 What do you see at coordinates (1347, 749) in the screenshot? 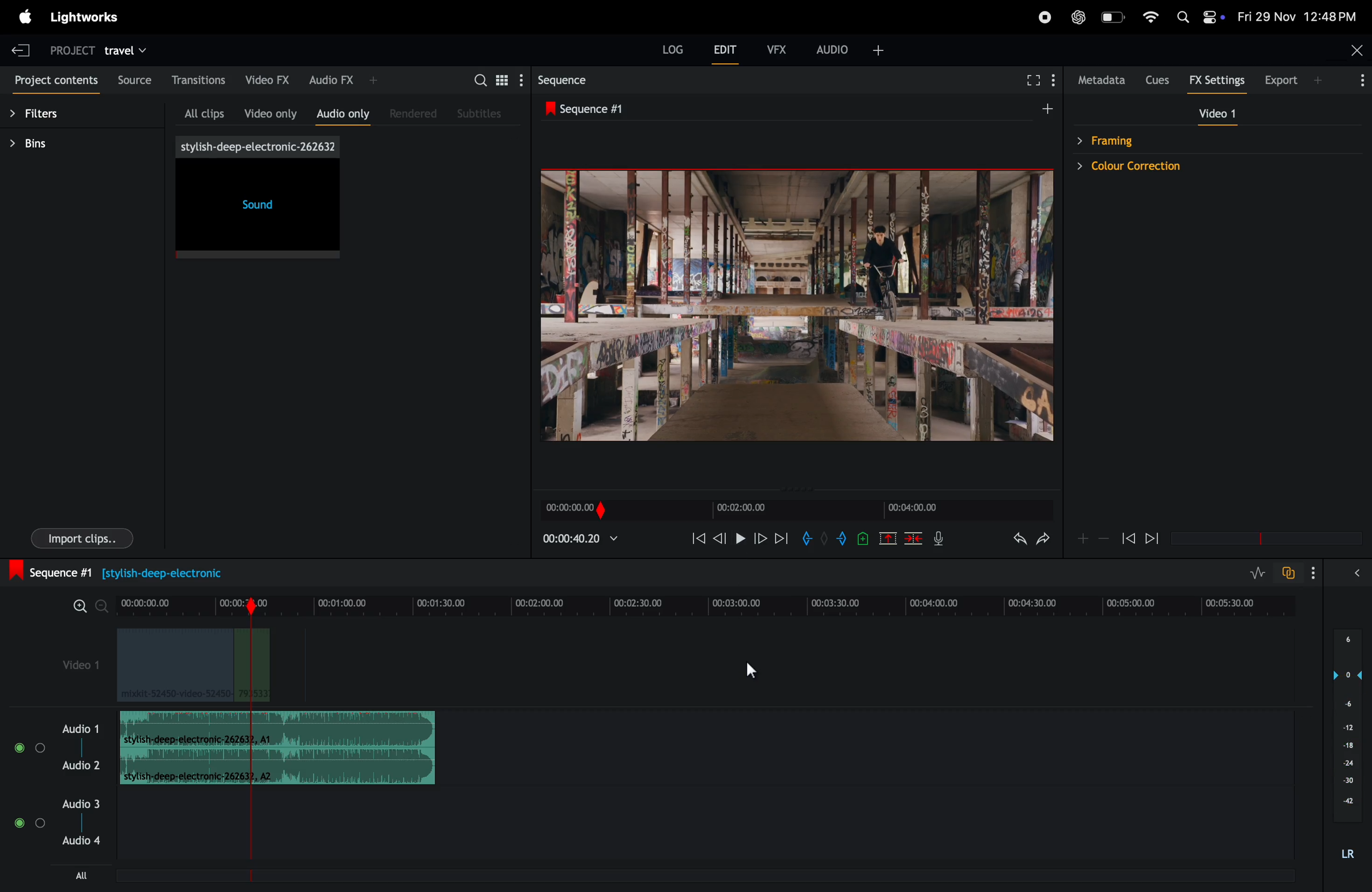
I see `audio pitch` at bounding box center [1347, 749].